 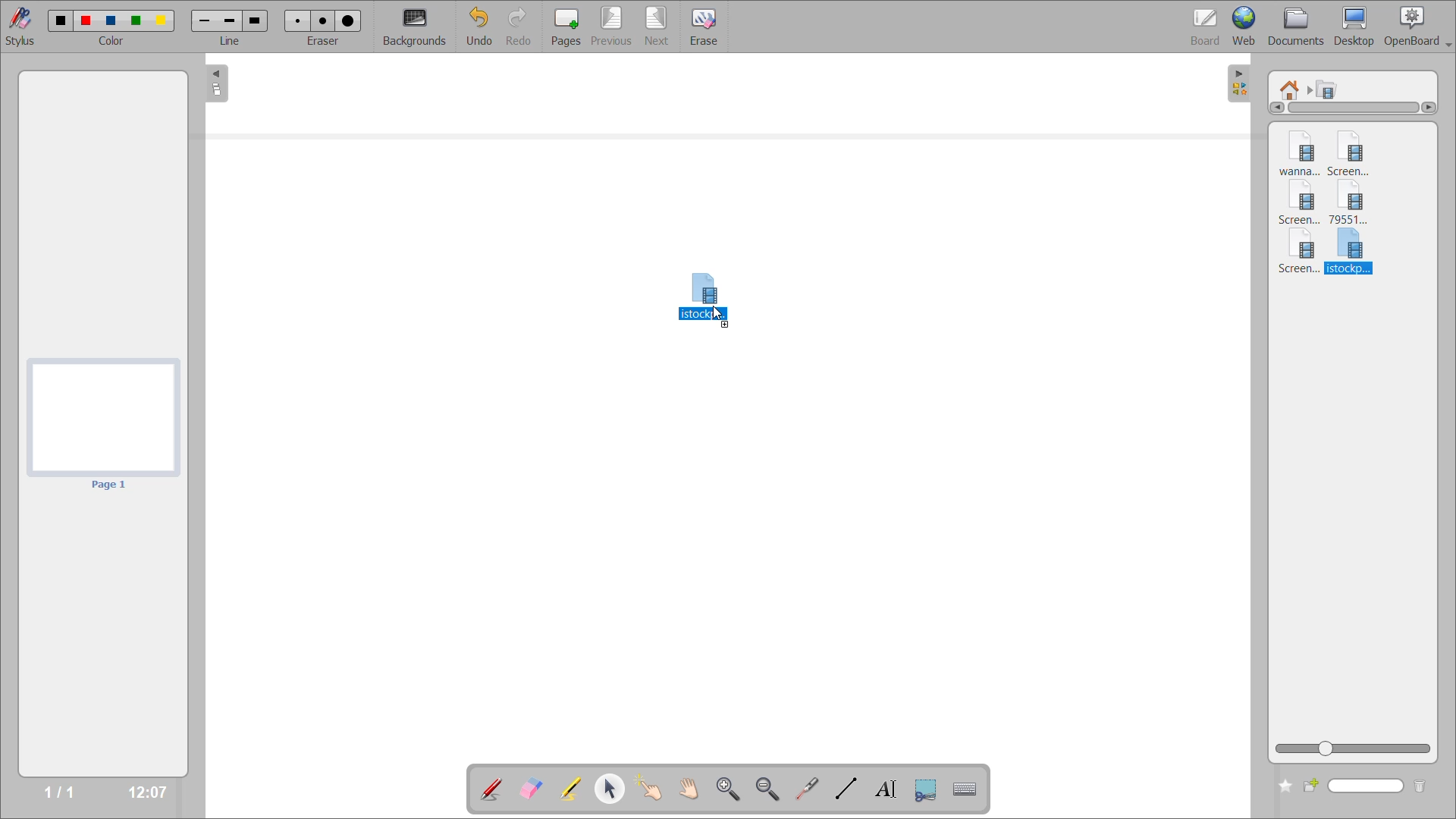 I want to click on virtual keyboard, so click(x=971, y=791).